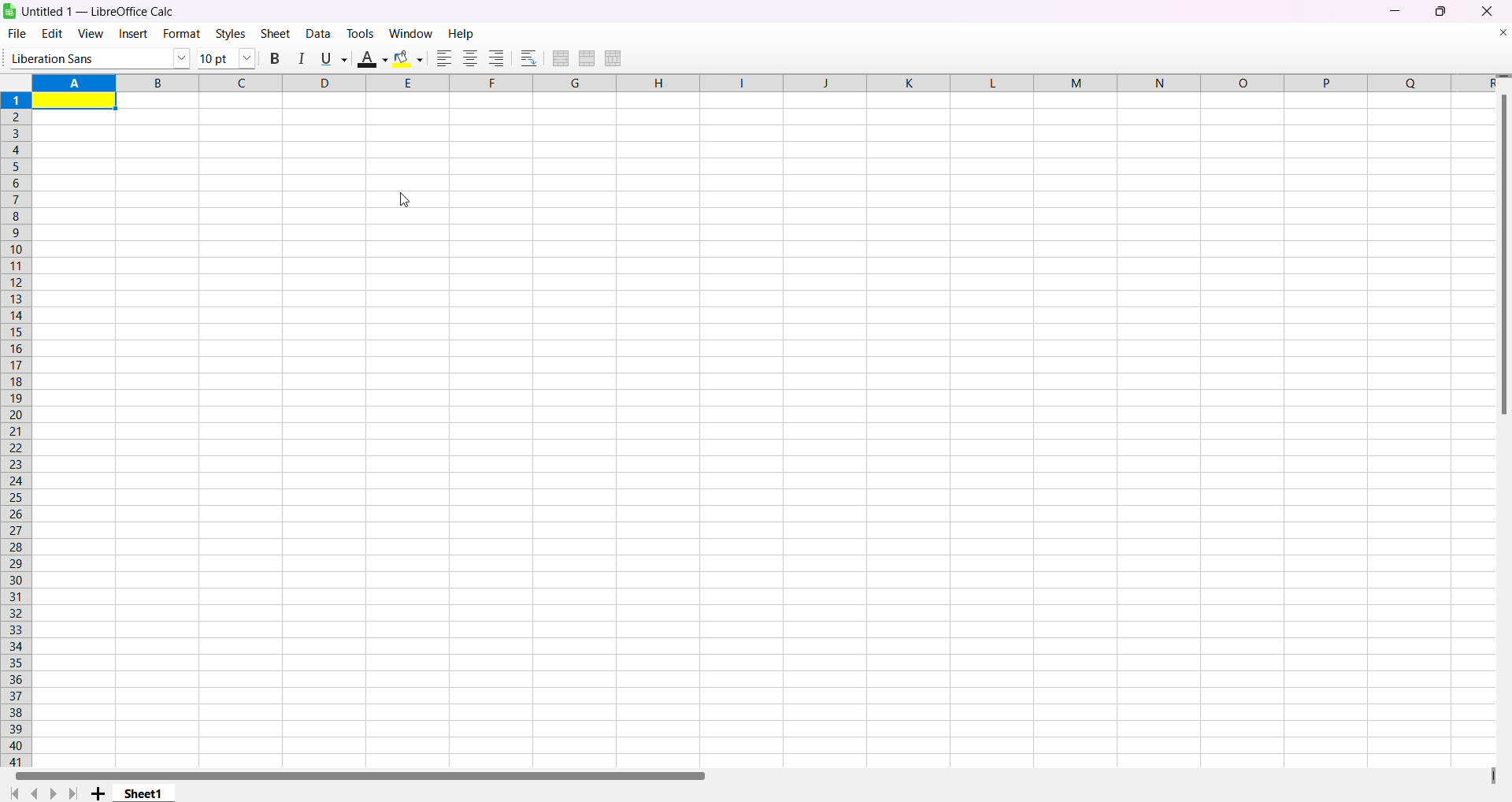  What do you see at coordinates (80, 102) in the screenshot?
I see `highlighted cell` at bounding box center [80, 102].